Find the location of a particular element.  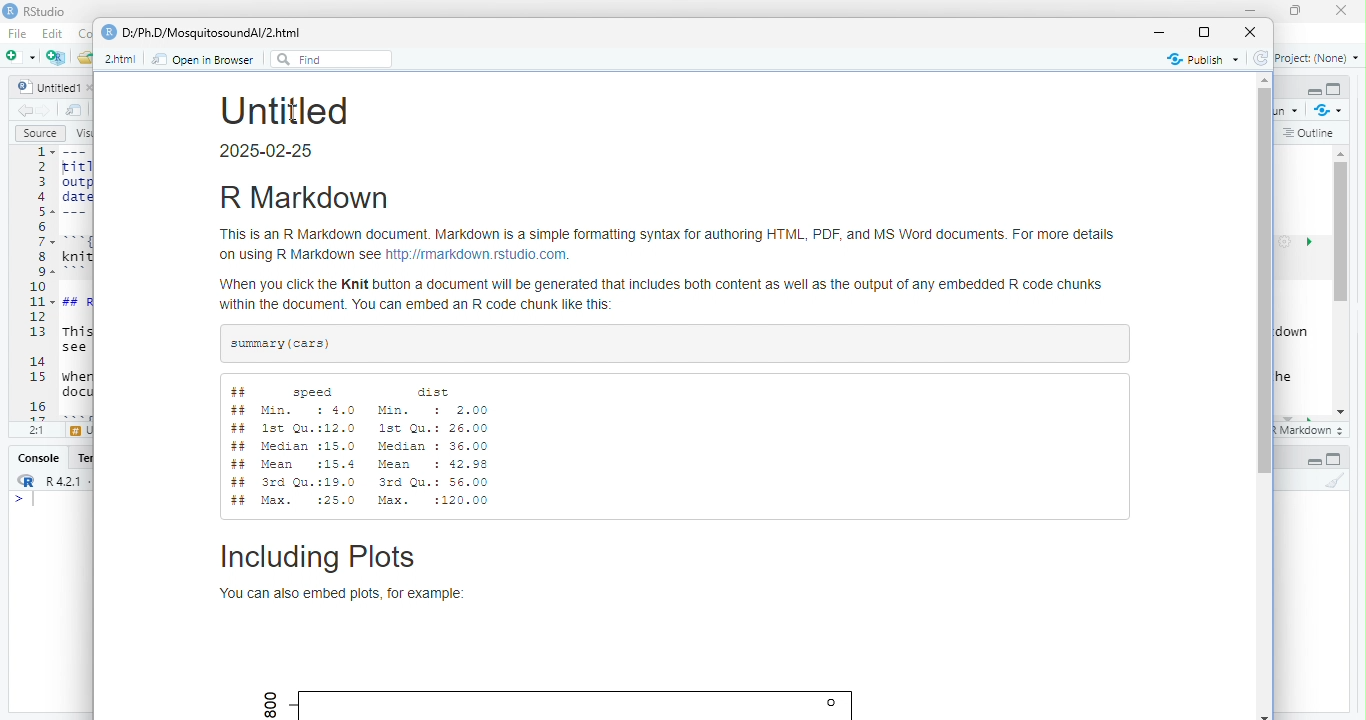

Forward  is located at coordinates (46, 111).